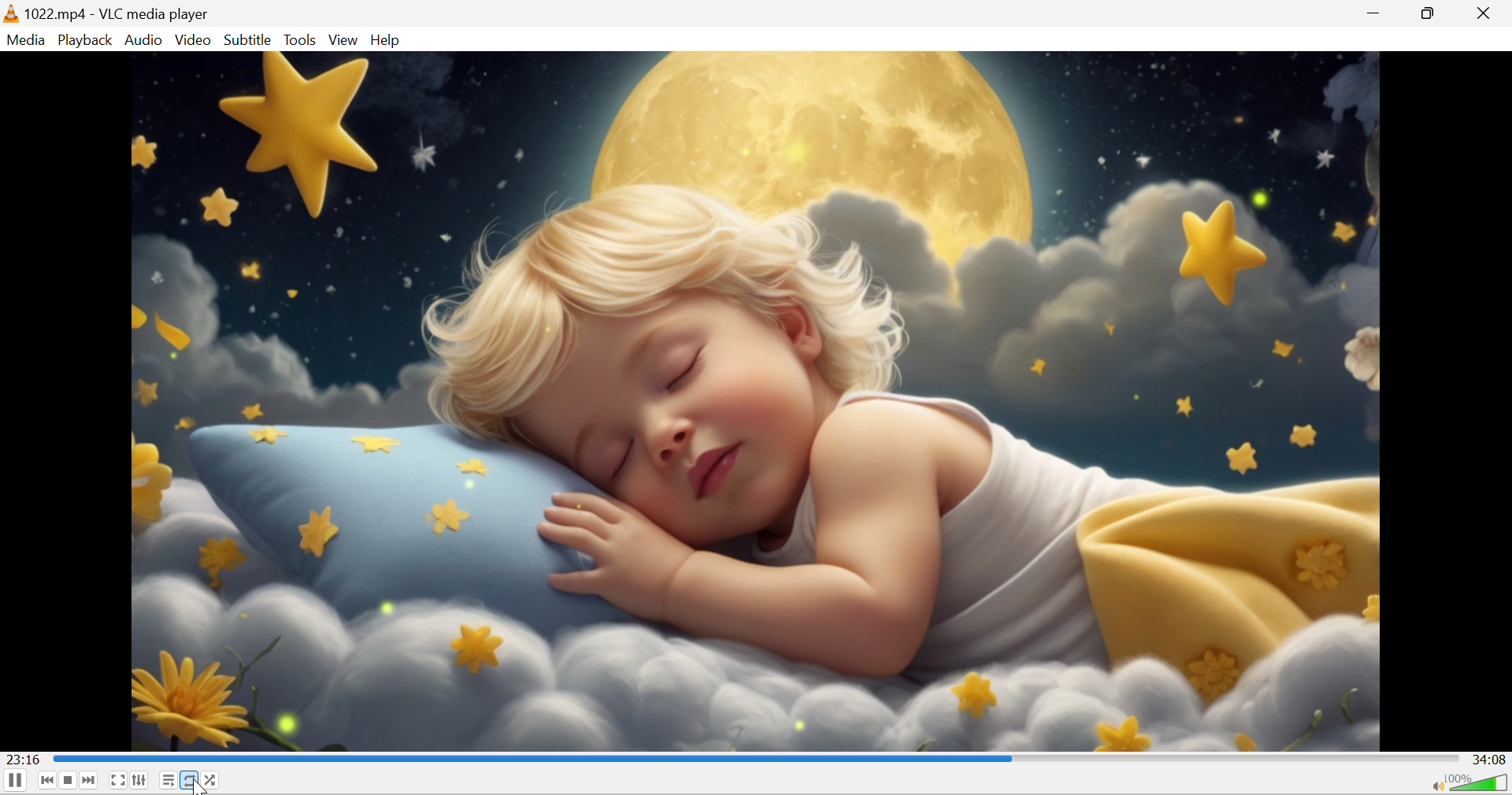  What do you see at coordinates (117, 782) in the screenshot?
I see `Toggle the video in fullscreen` at bounding box center [117, 782].